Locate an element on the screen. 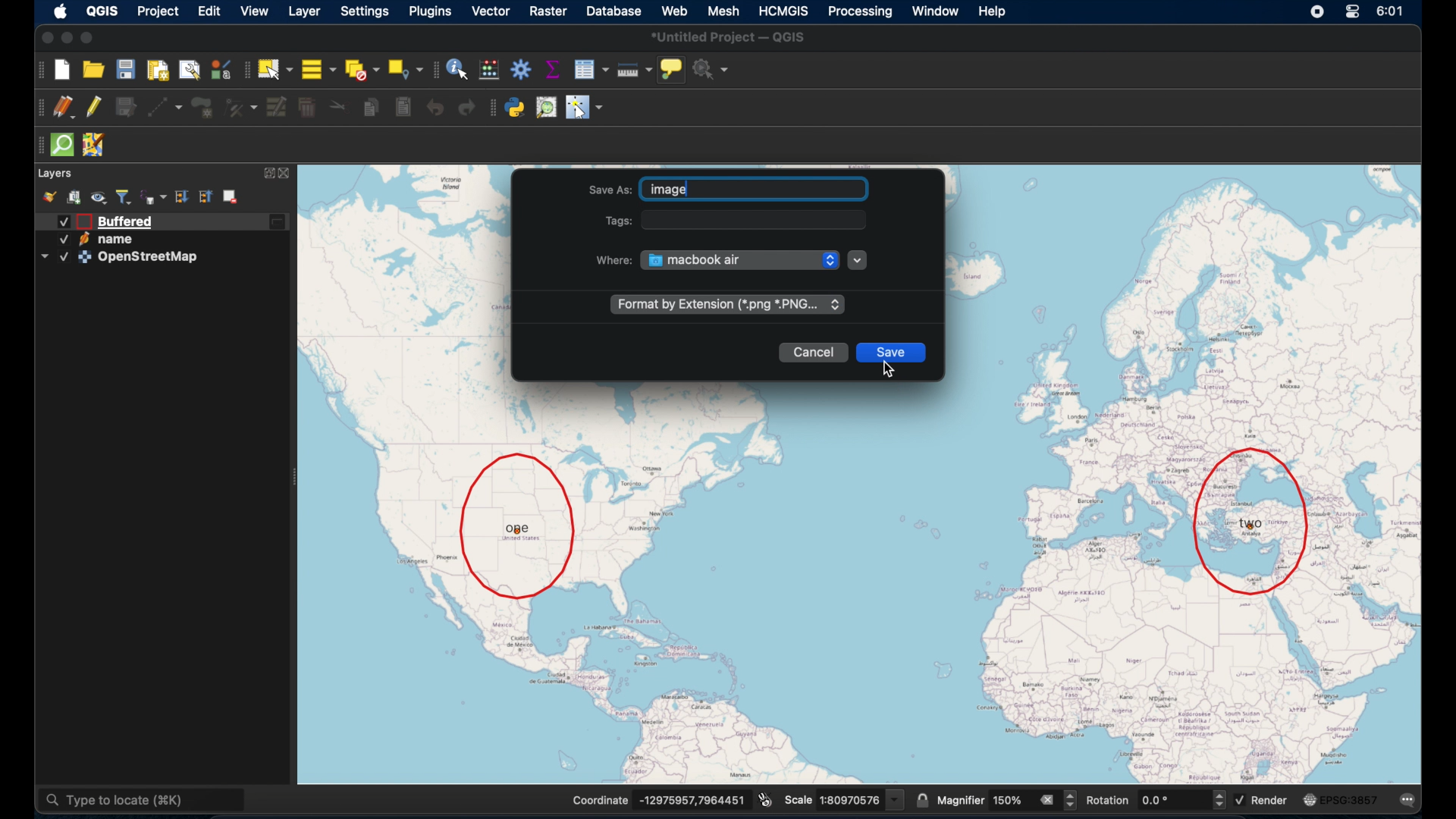 The width and height of the screenshot is (1456, 819). current edits is located at coordinates (65, 108).